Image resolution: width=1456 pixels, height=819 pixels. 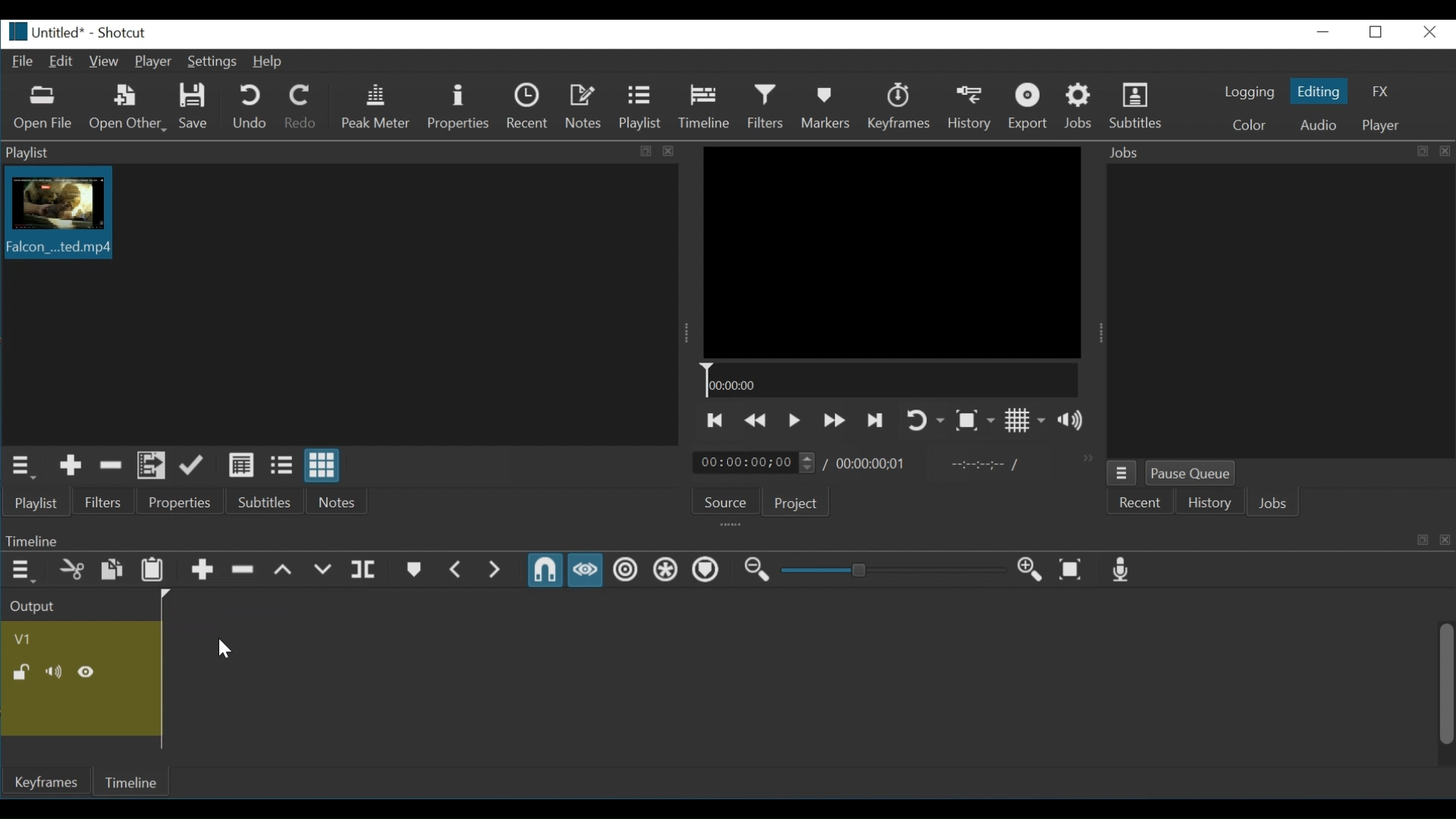 I want to click on Cut, so click(x=72, y=570).